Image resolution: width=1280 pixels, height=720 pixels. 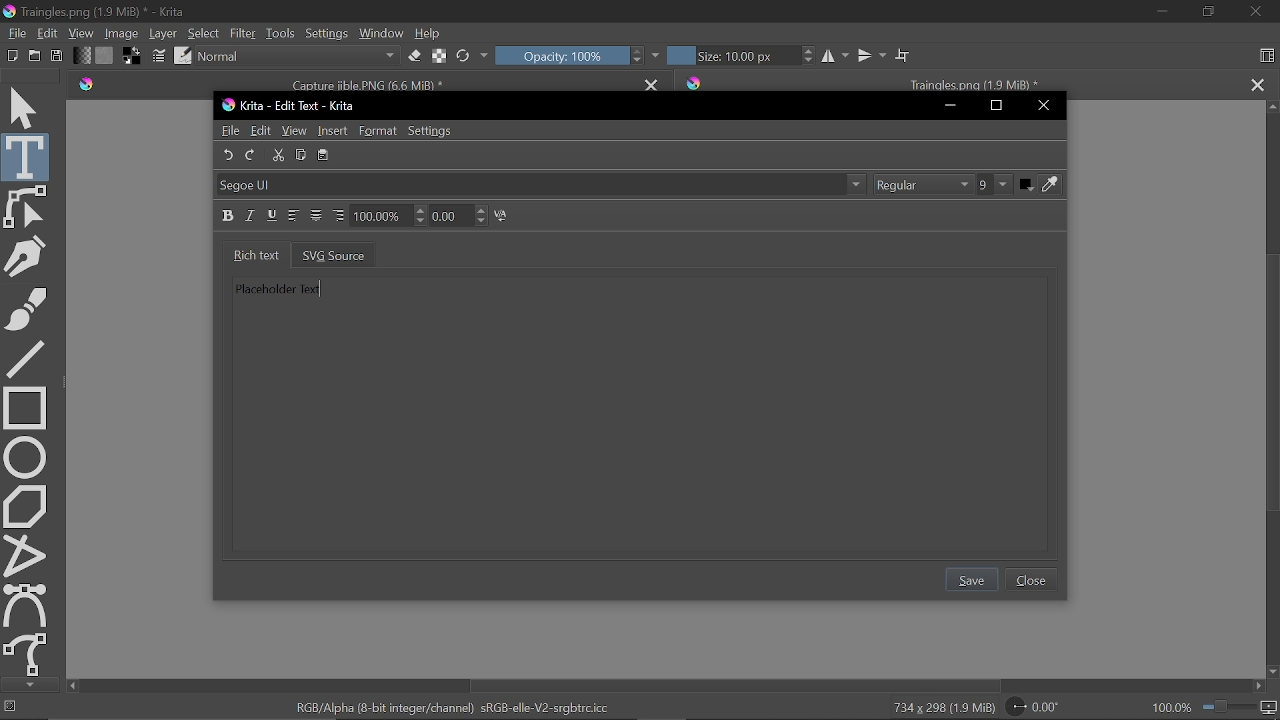 I want to click on type cursor, so click(x=322, y=293).